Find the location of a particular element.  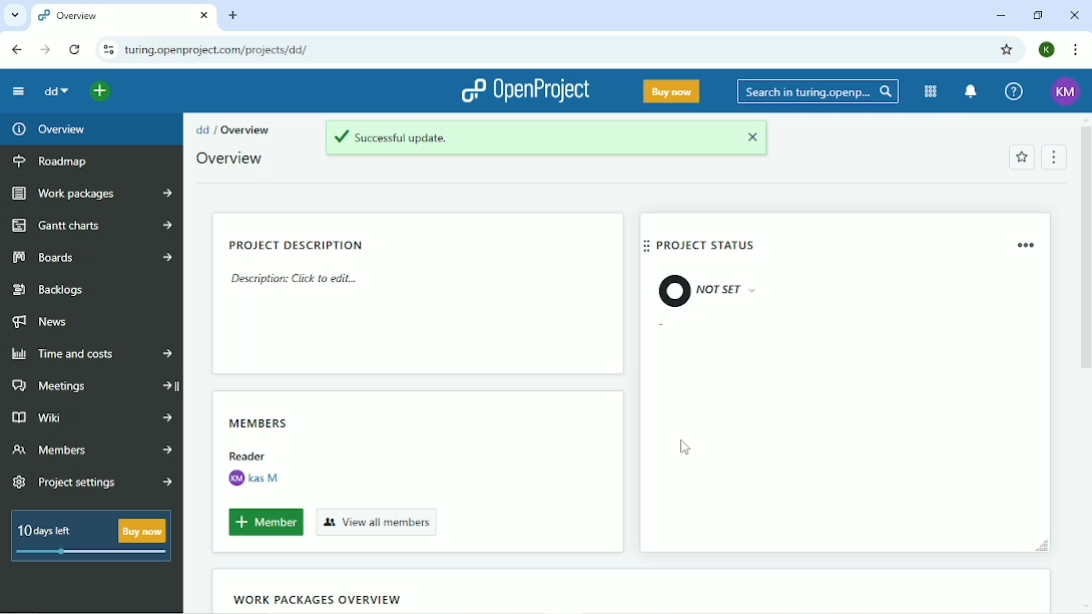

Wiki is located at coordinates (92, 416).